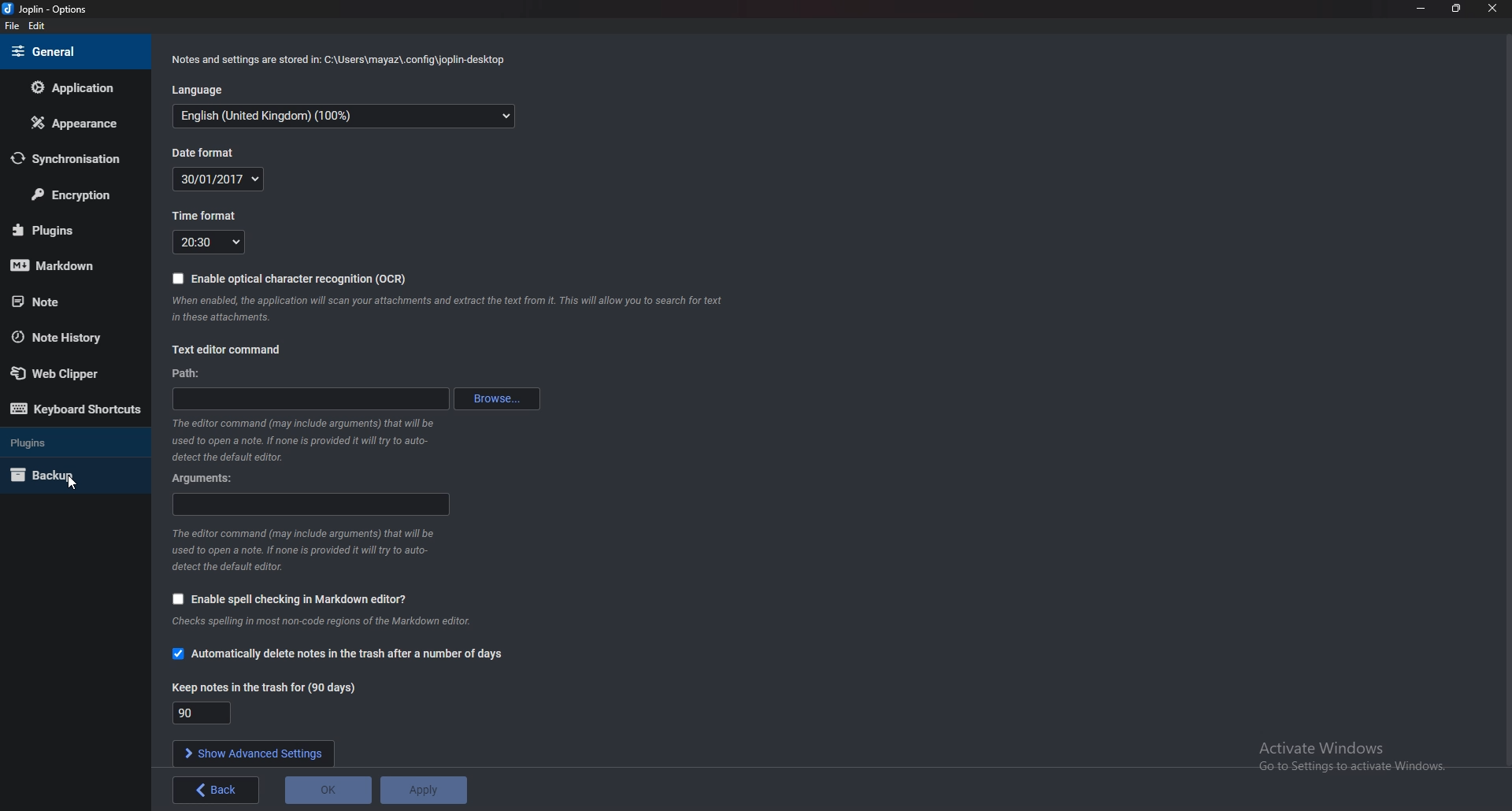  Describe the element at coordinates (1458, 8) in the screenshot. I see `Resize` at that location.